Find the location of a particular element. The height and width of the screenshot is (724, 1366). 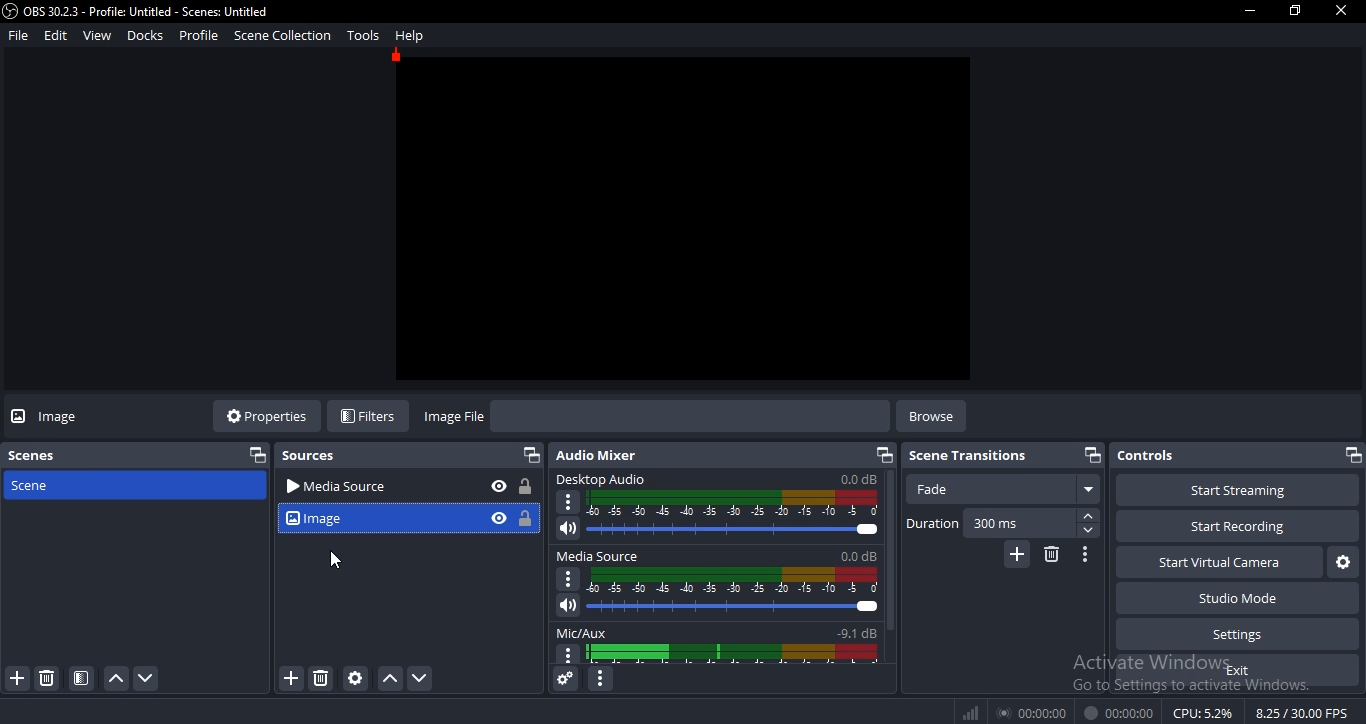

help is located at coordinates (407, 36).